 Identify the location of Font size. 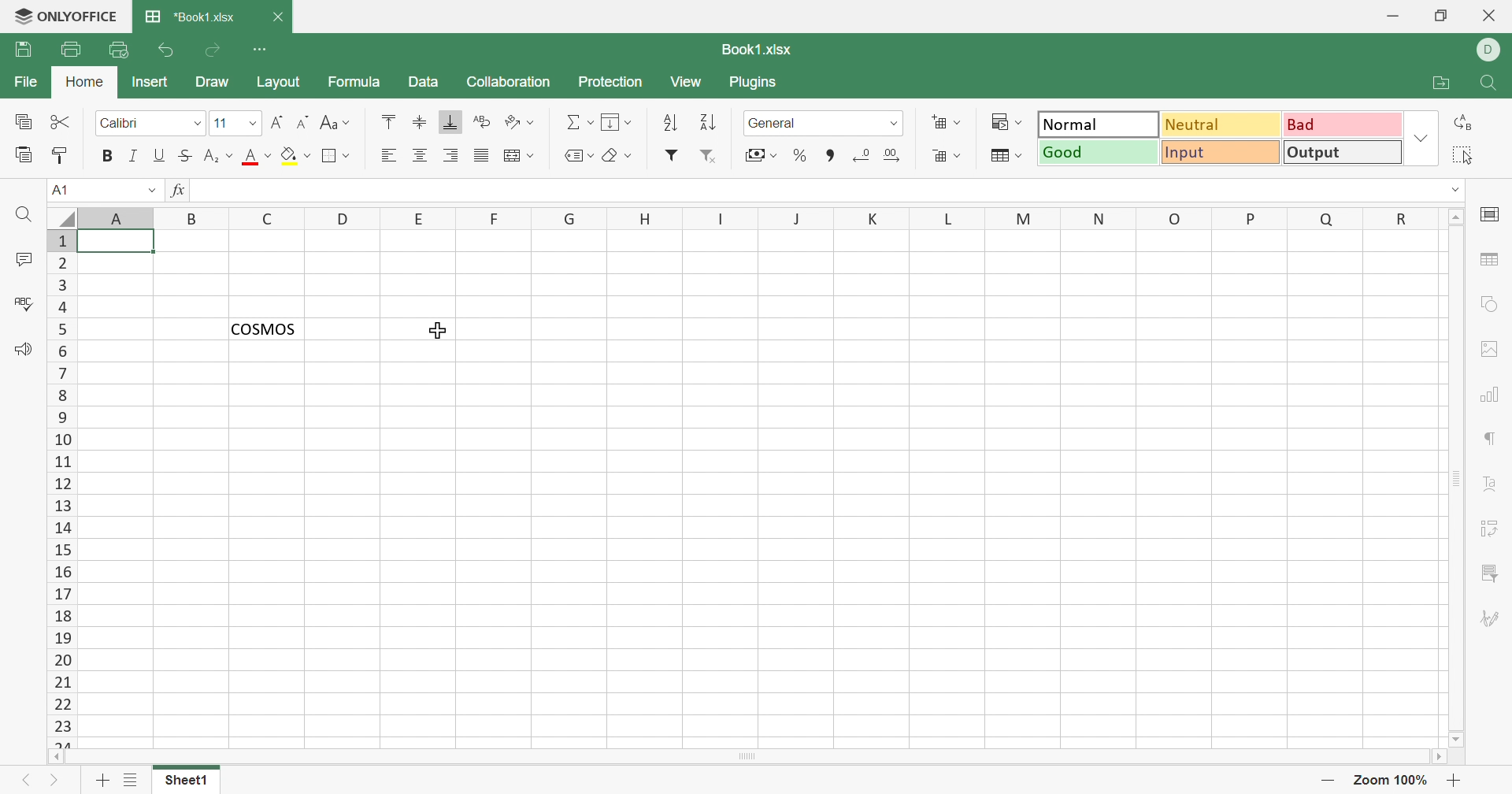
(226, 121).